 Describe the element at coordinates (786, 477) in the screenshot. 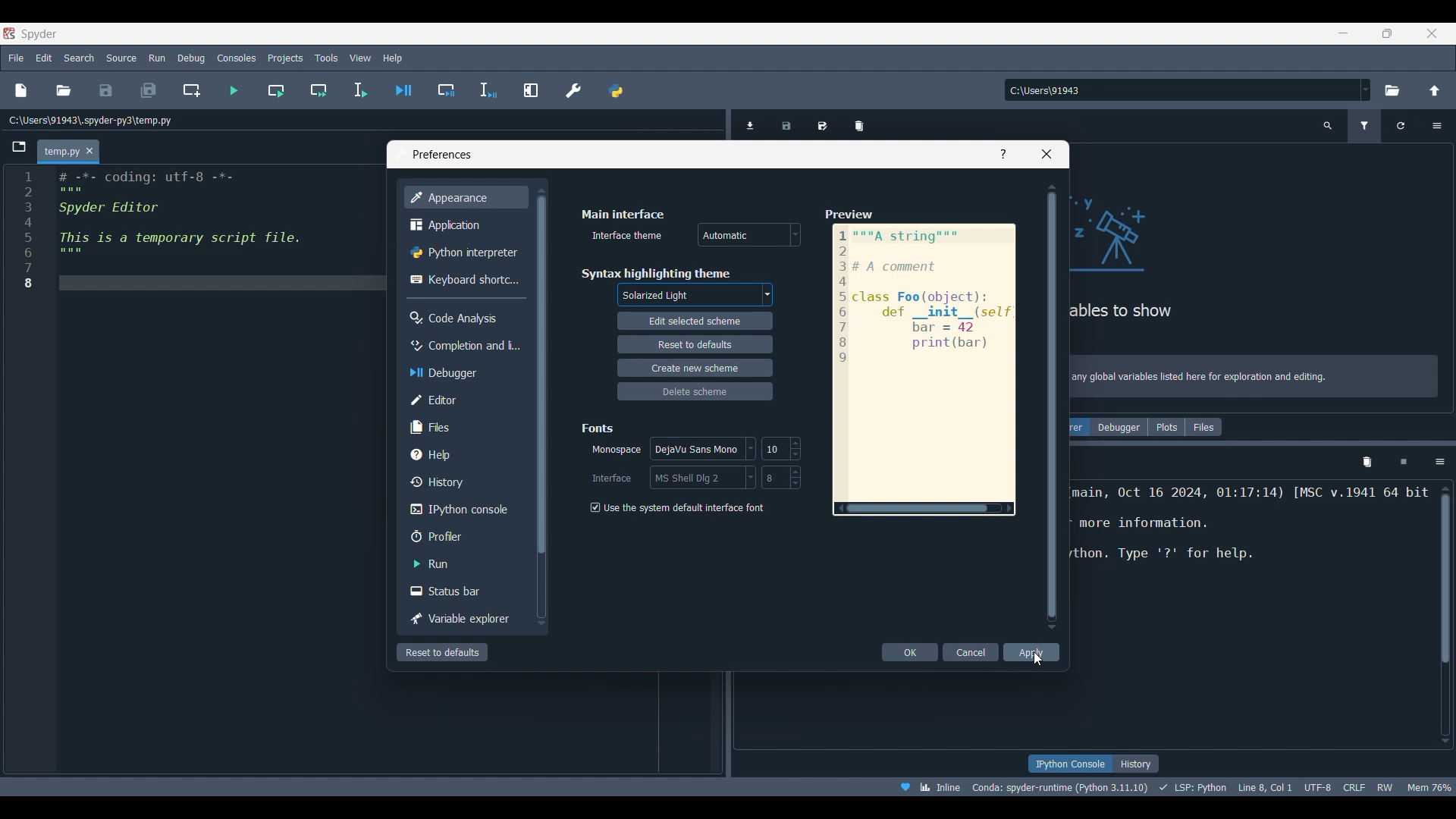

I see `font size` at that location.